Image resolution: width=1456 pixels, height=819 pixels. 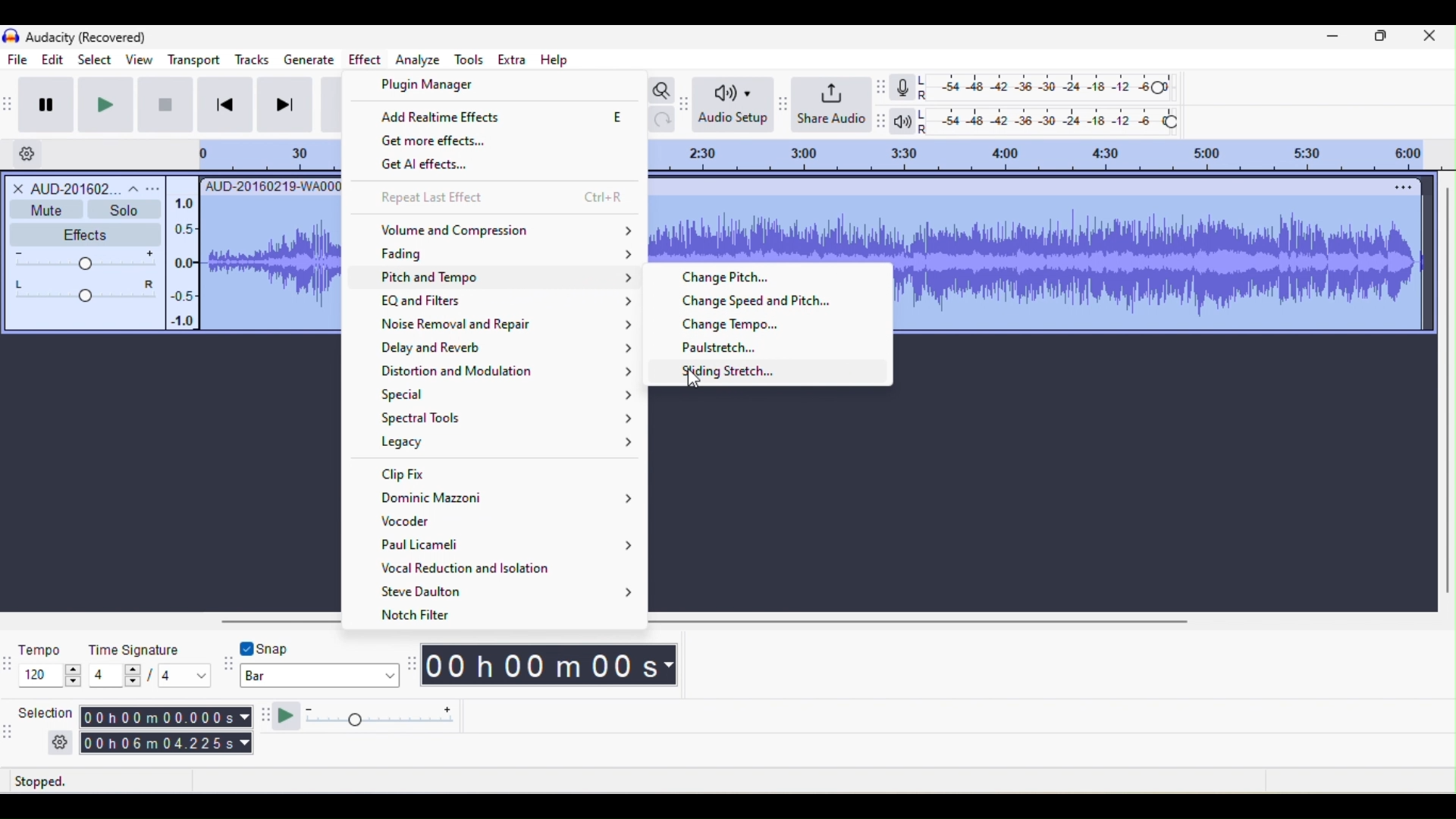 What do you see at coordinates (763, 302) in the screenshot?
I see `change speed and pitch` at bounding box center [763, 302].